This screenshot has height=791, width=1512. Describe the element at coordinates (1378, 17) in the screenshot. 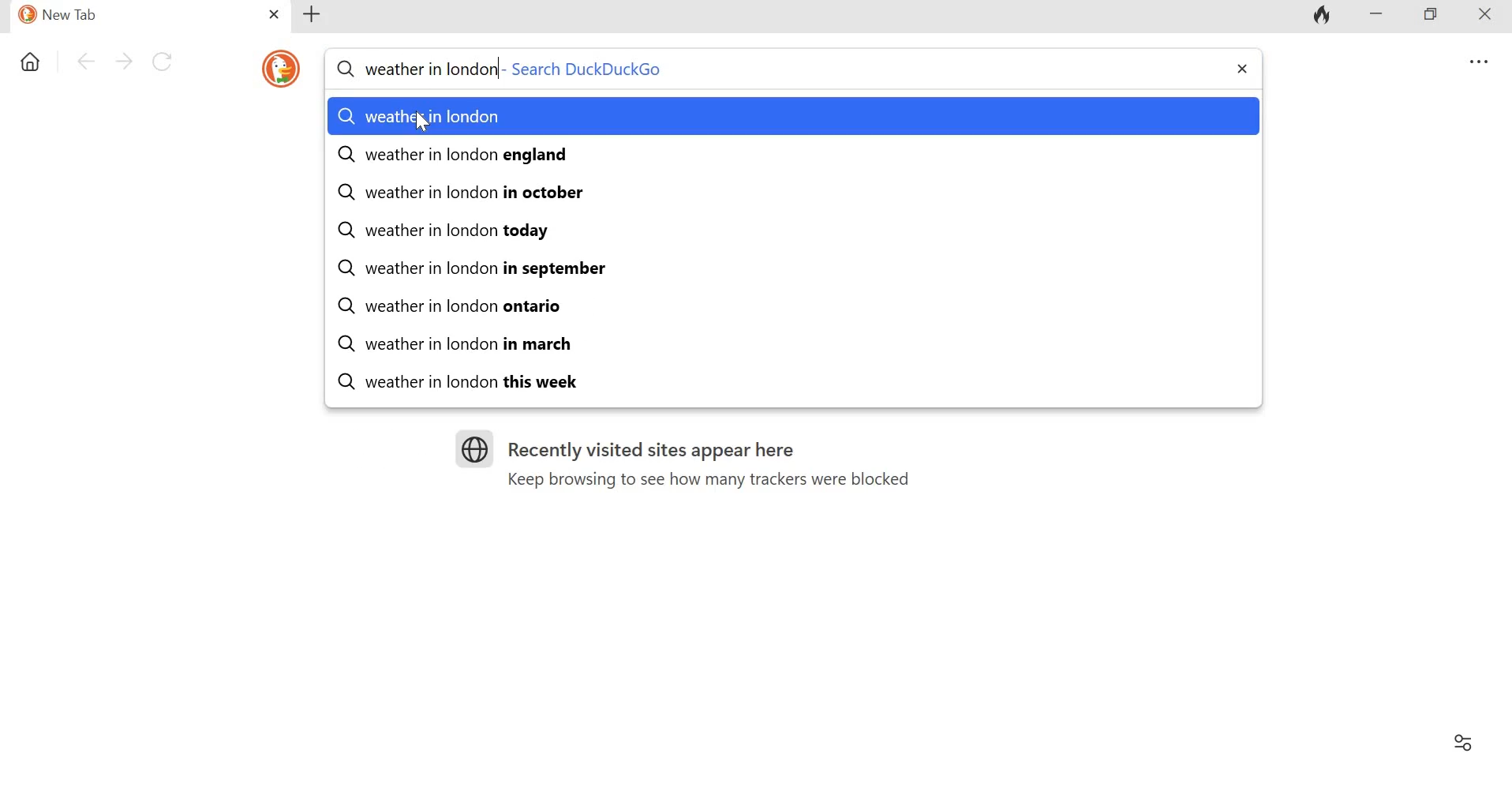

I see `Minimize` at that location.